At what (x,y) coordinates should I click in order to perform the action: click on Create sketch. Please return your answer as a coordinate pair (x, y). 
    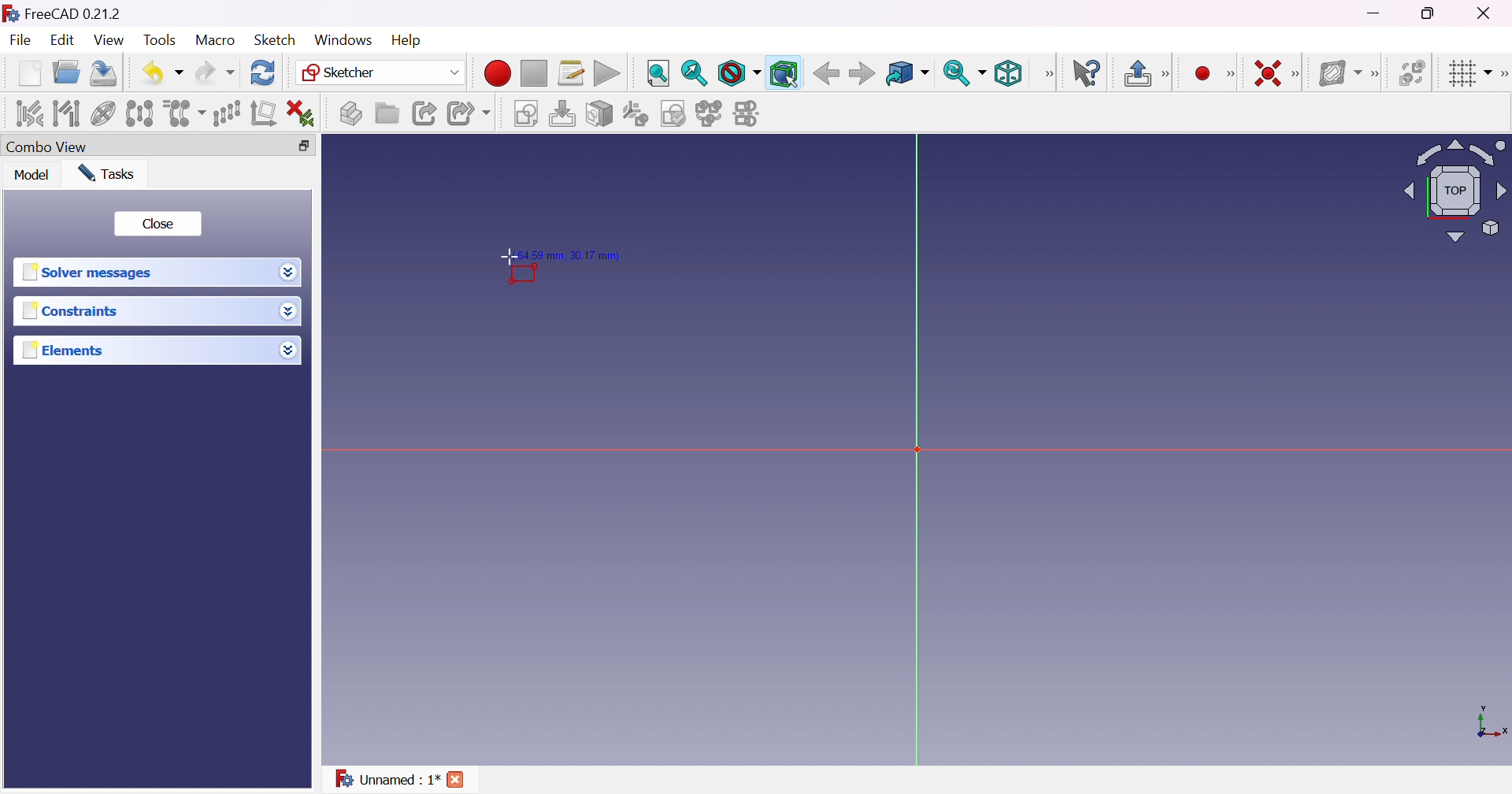
    Looking at the image, I should click on (524, 113).